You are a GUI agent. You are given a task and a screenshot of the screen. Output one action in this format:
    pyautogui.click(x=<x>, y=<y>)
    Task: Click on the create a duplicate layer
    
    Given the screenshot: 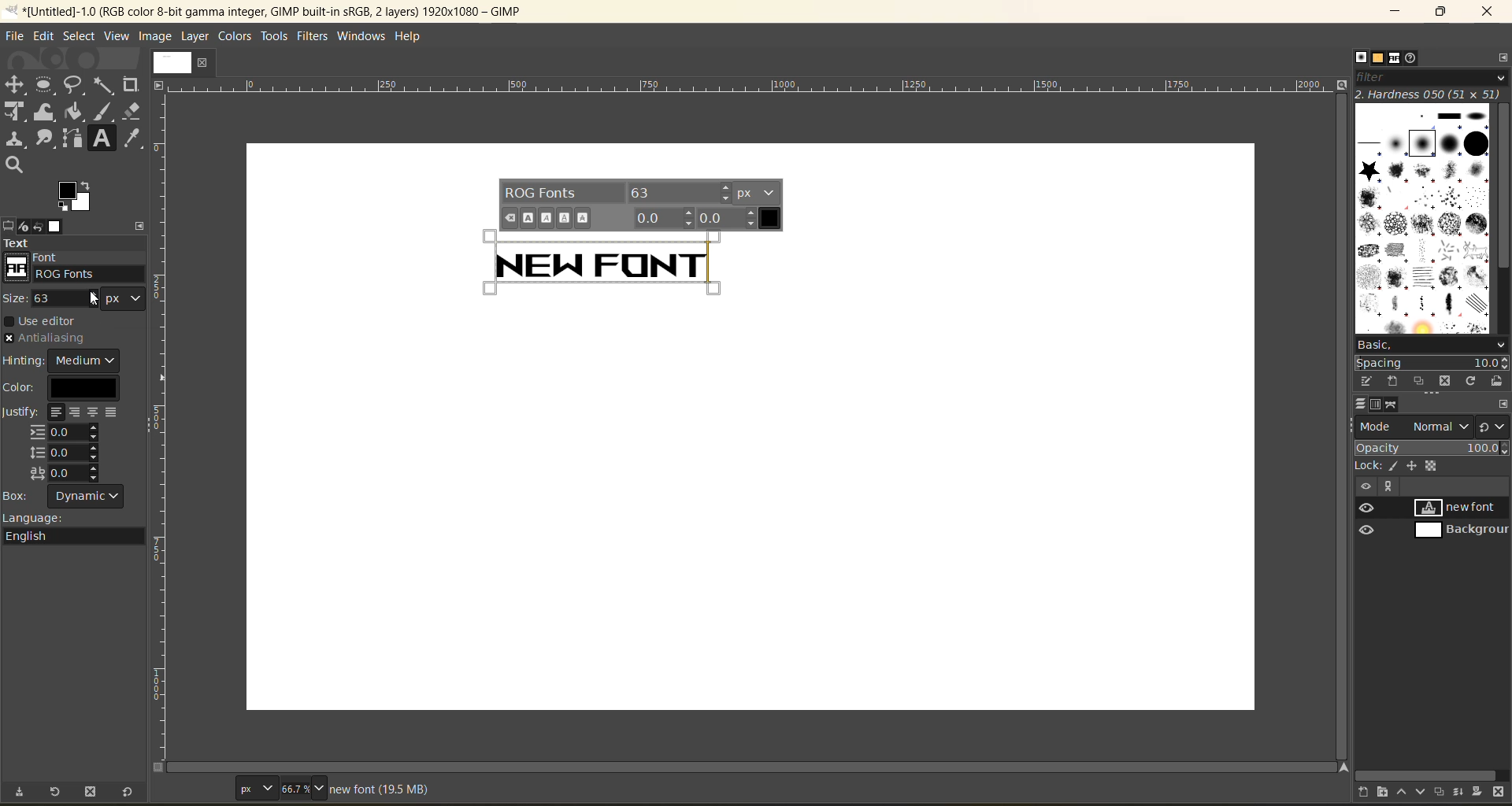 What is the action you would take?
    pyautogui.click(x=1444, y=791)
    